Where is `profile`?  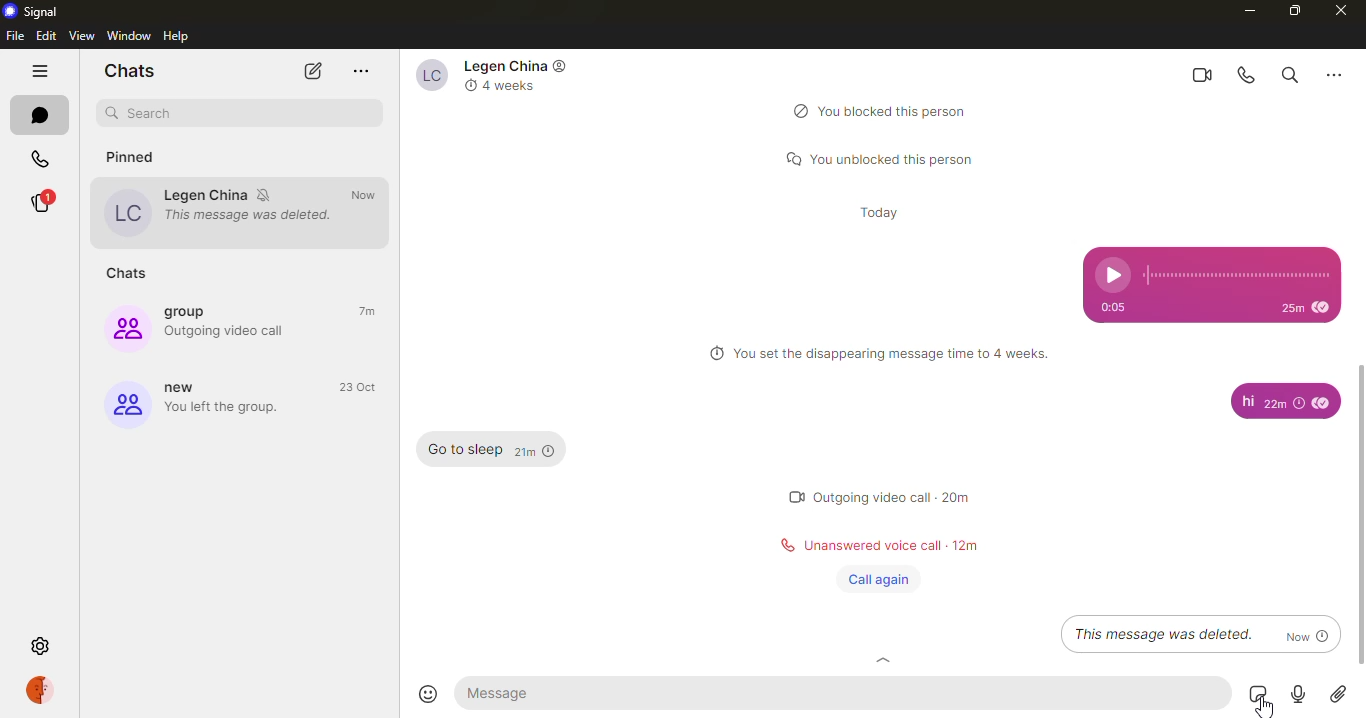 profile is located at coordinates (43, 689).